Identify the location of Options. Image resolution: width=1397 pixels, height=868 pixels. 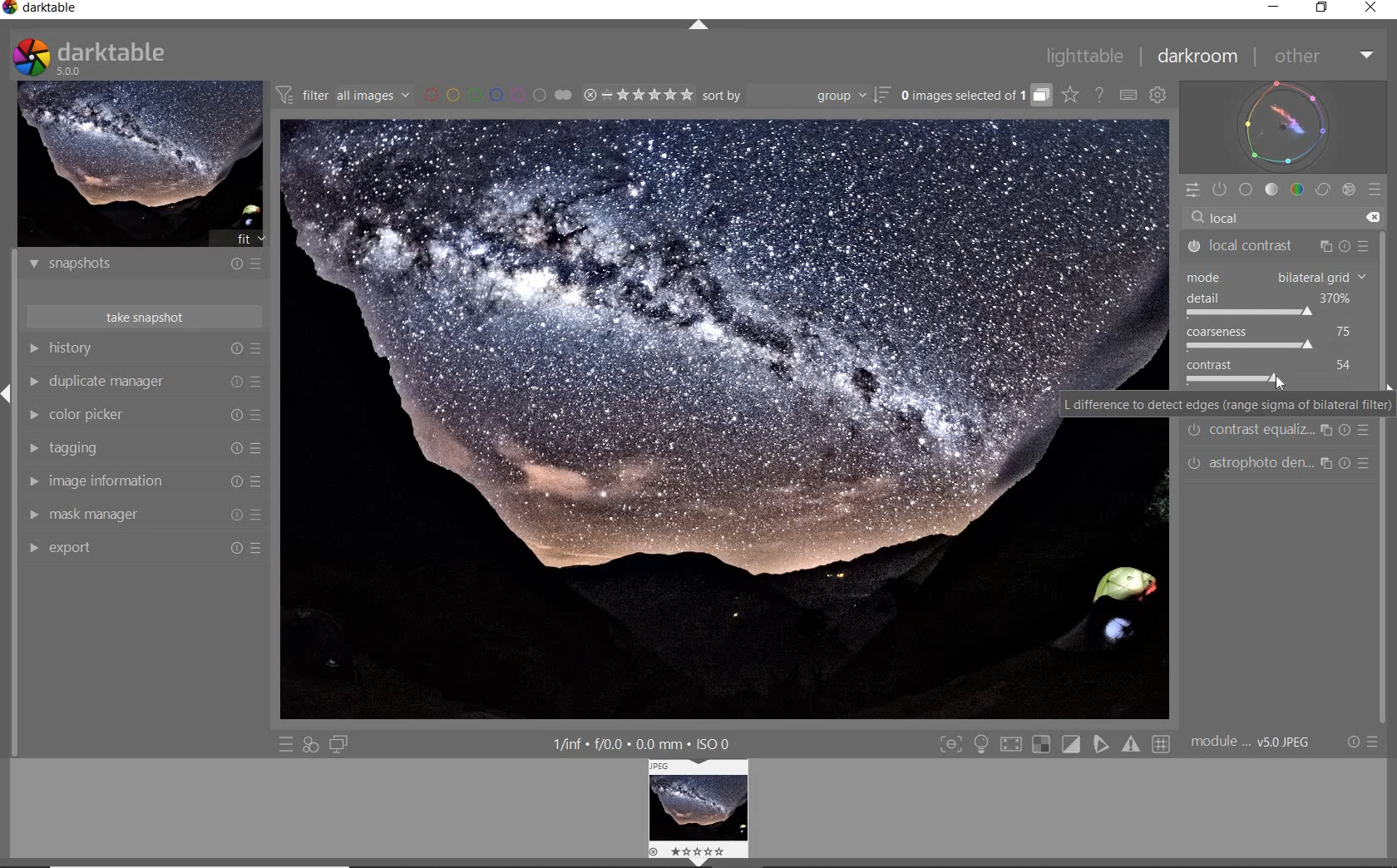
(1378, 741).